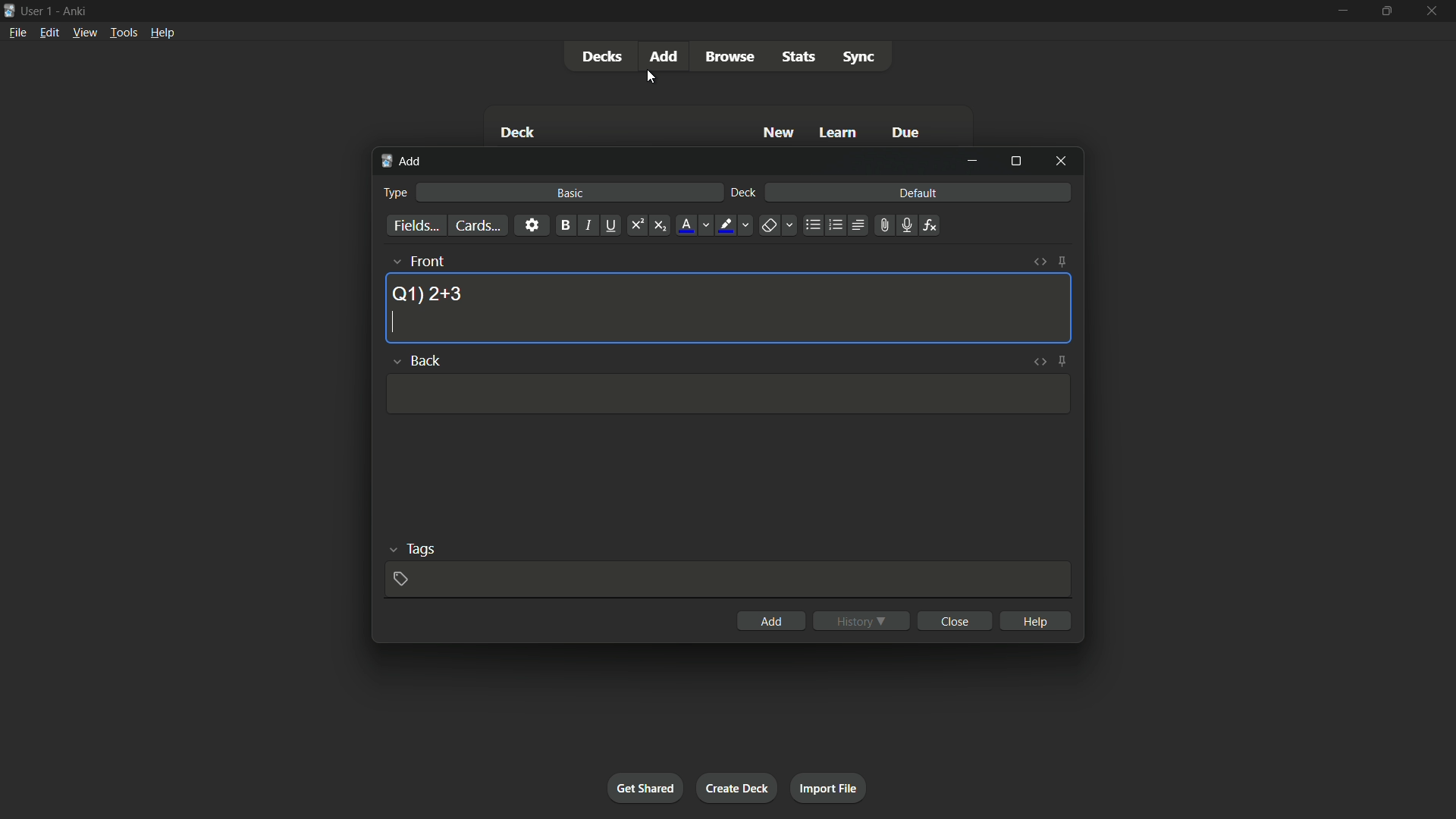 The image size is (1456, 819). What do you see at coordinates (388, 323) in the screenshot?
I see `cursor` at bounding box center [388, 323].